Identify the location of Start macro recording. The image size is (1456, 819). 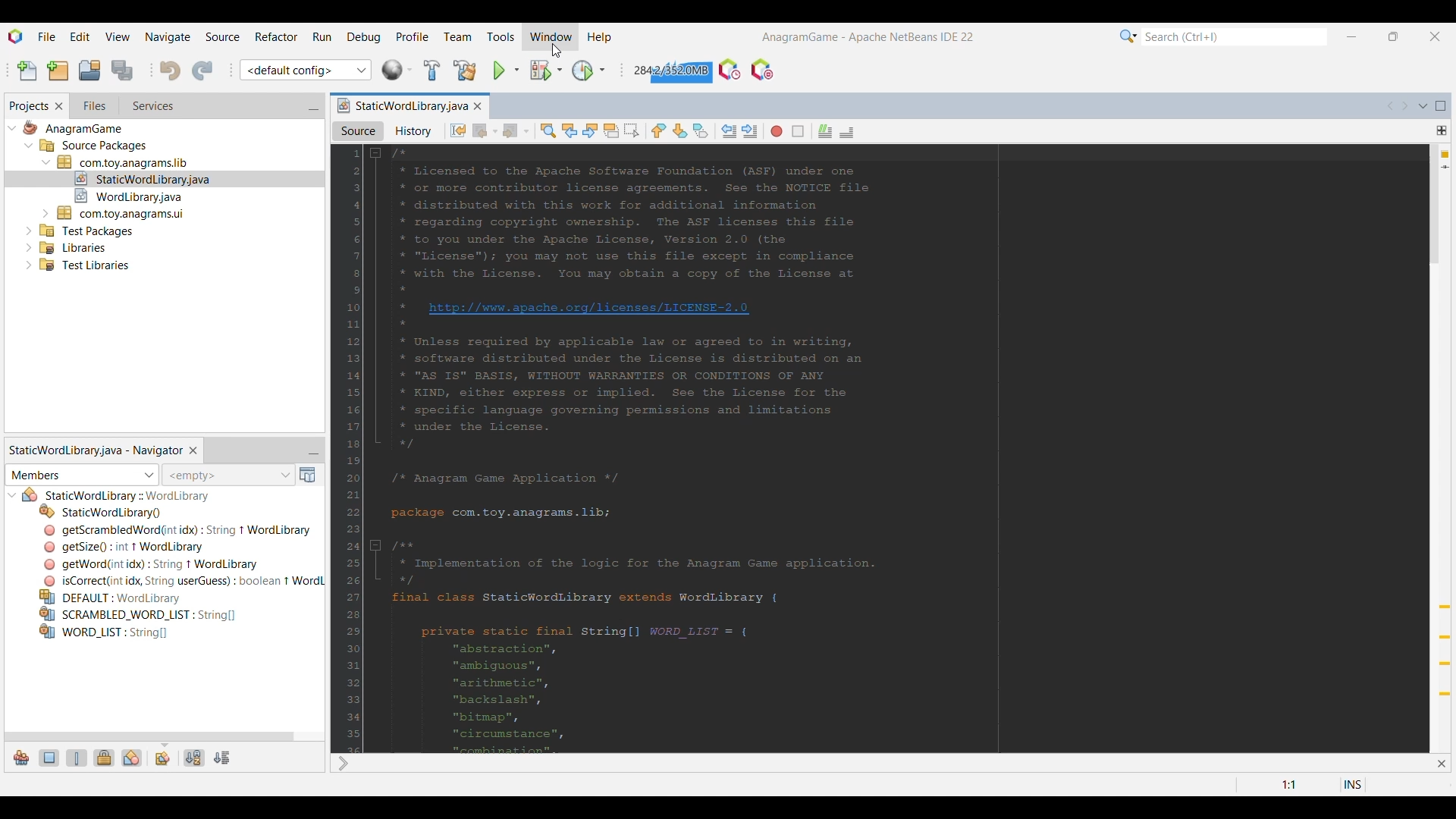
(777, 131).